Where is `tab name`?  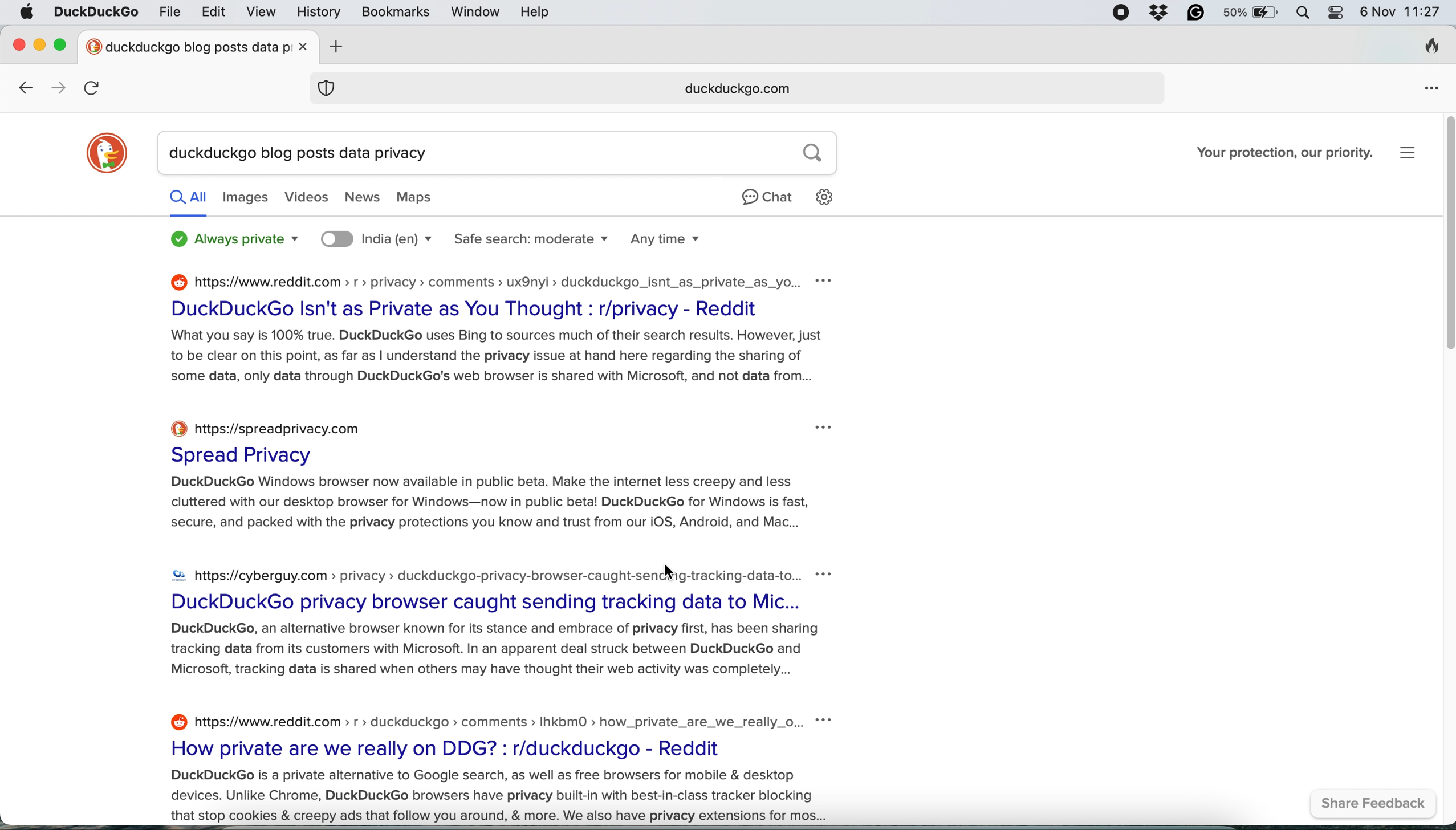
tab name is located at coordinates (184, 46).